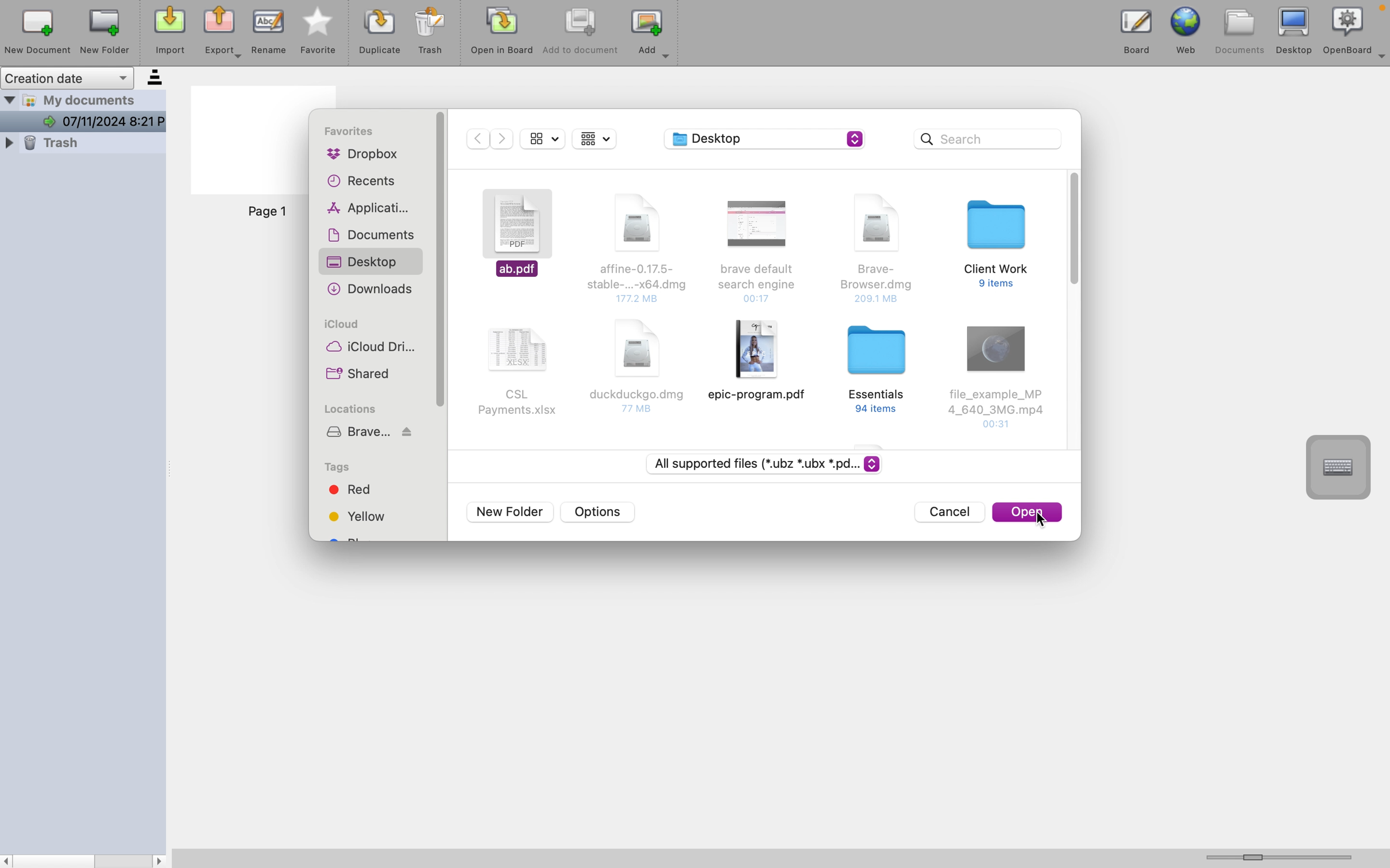  Describe the element at coordinates (648, 36) in the screenshot. I see `add` at that location.